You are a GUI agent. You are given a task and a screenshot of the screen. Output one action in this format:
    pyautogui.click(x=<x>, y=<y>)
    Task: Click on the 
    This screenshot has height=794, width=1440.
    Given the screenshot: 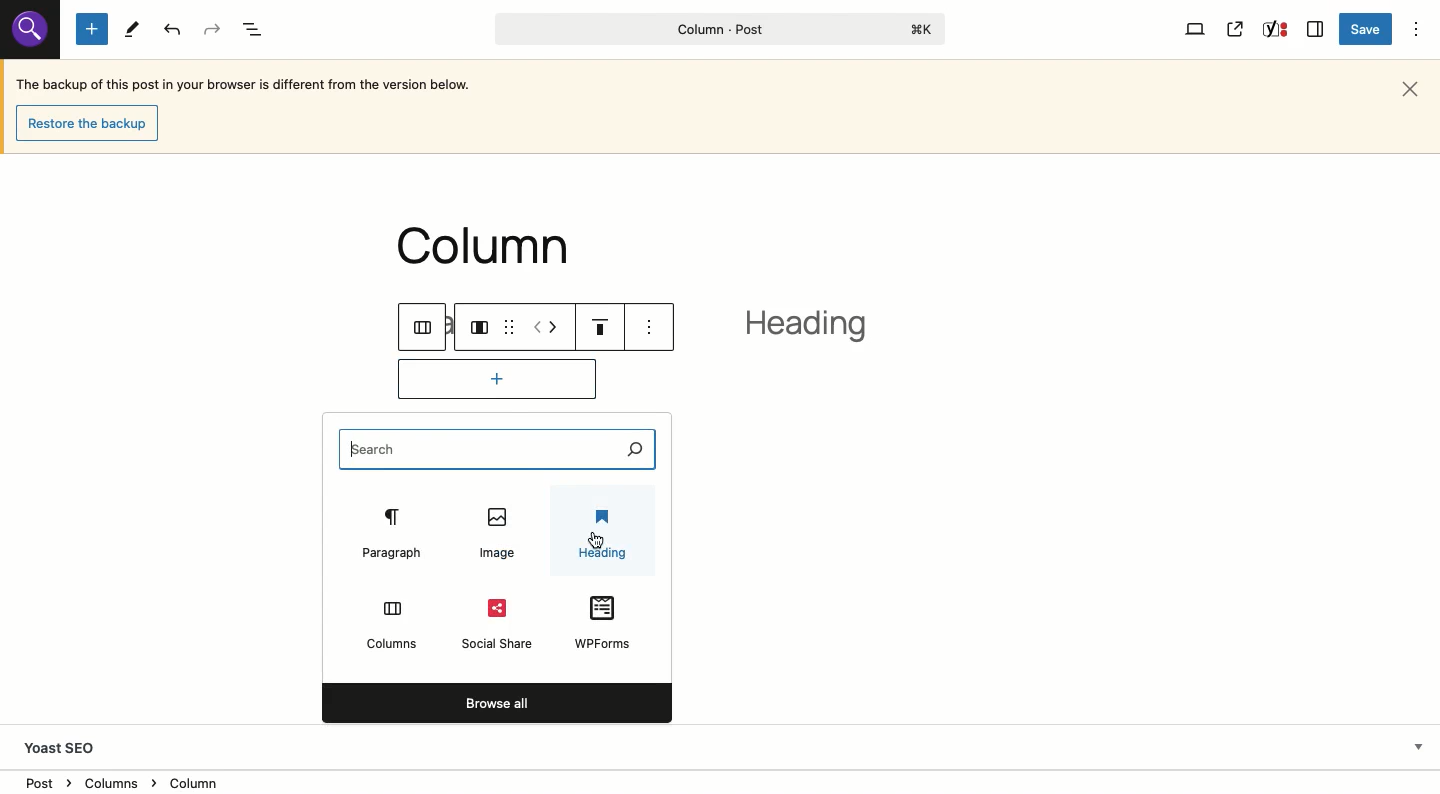 What is the action you would take?
    pyautogui.click(x=27, y=30)
    